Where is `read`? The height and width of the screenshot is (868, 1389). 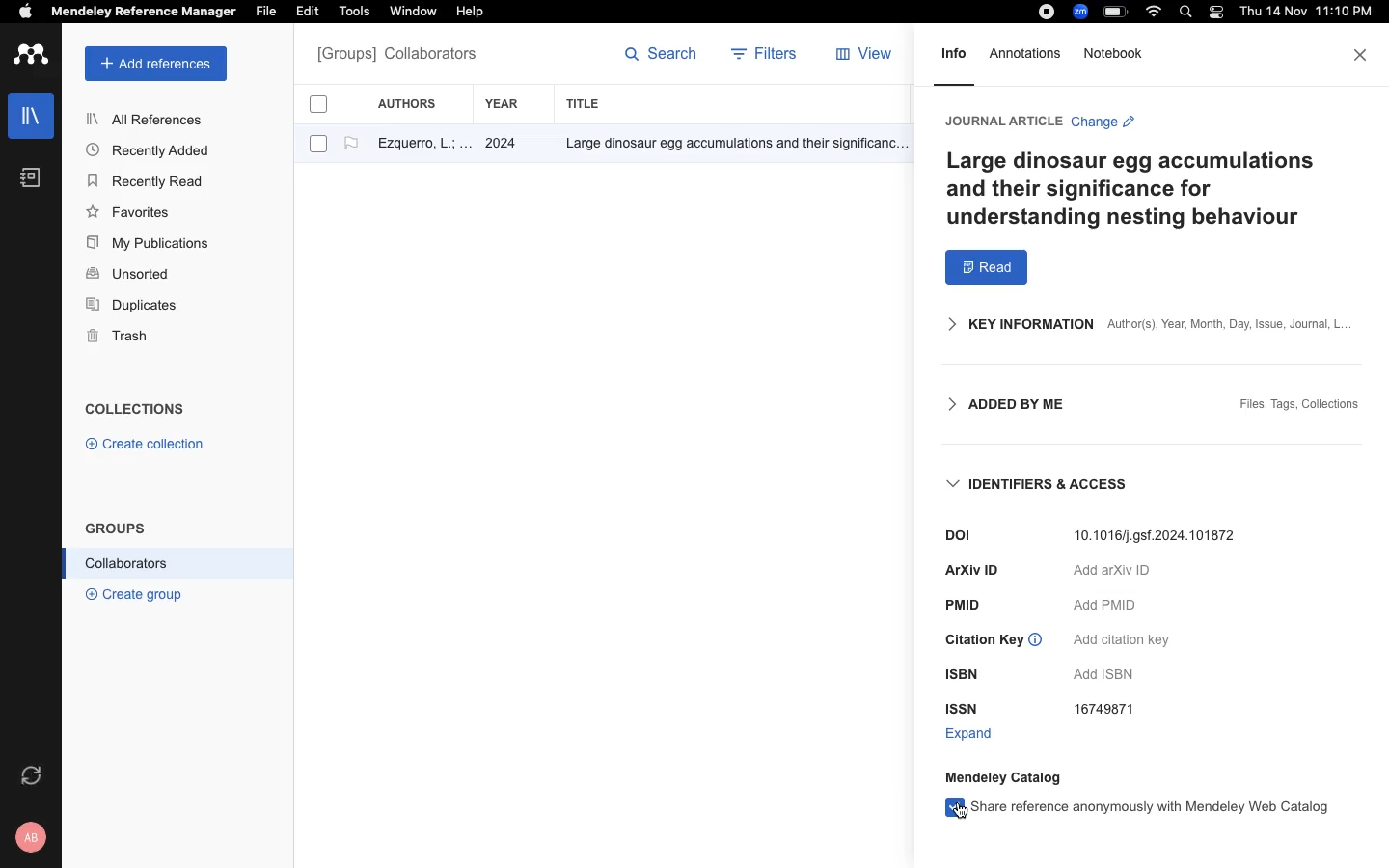 read is located at coordinates (987, 268).